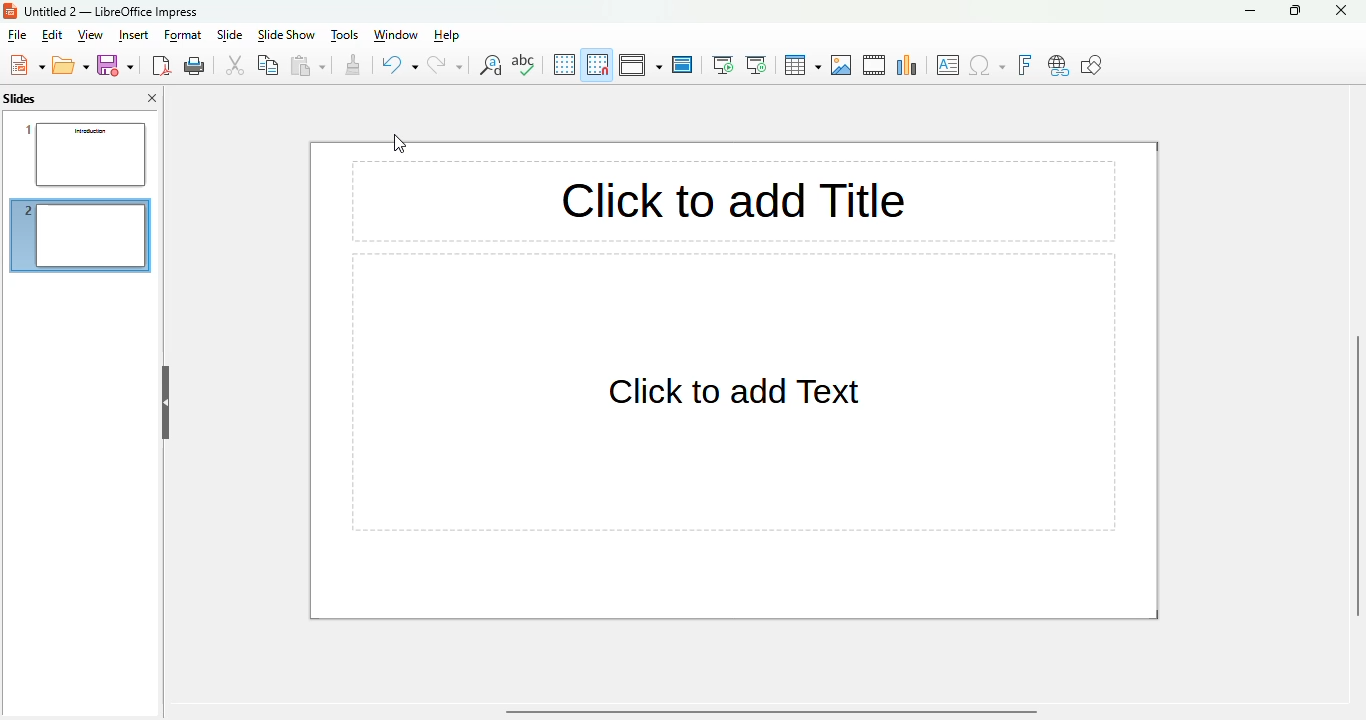 The width and height of the screenshot is (1366, 720). What do you see at coordinates (987, 65) in the screenshot?
I see `insert special characters` at bounding box center [987, 65].